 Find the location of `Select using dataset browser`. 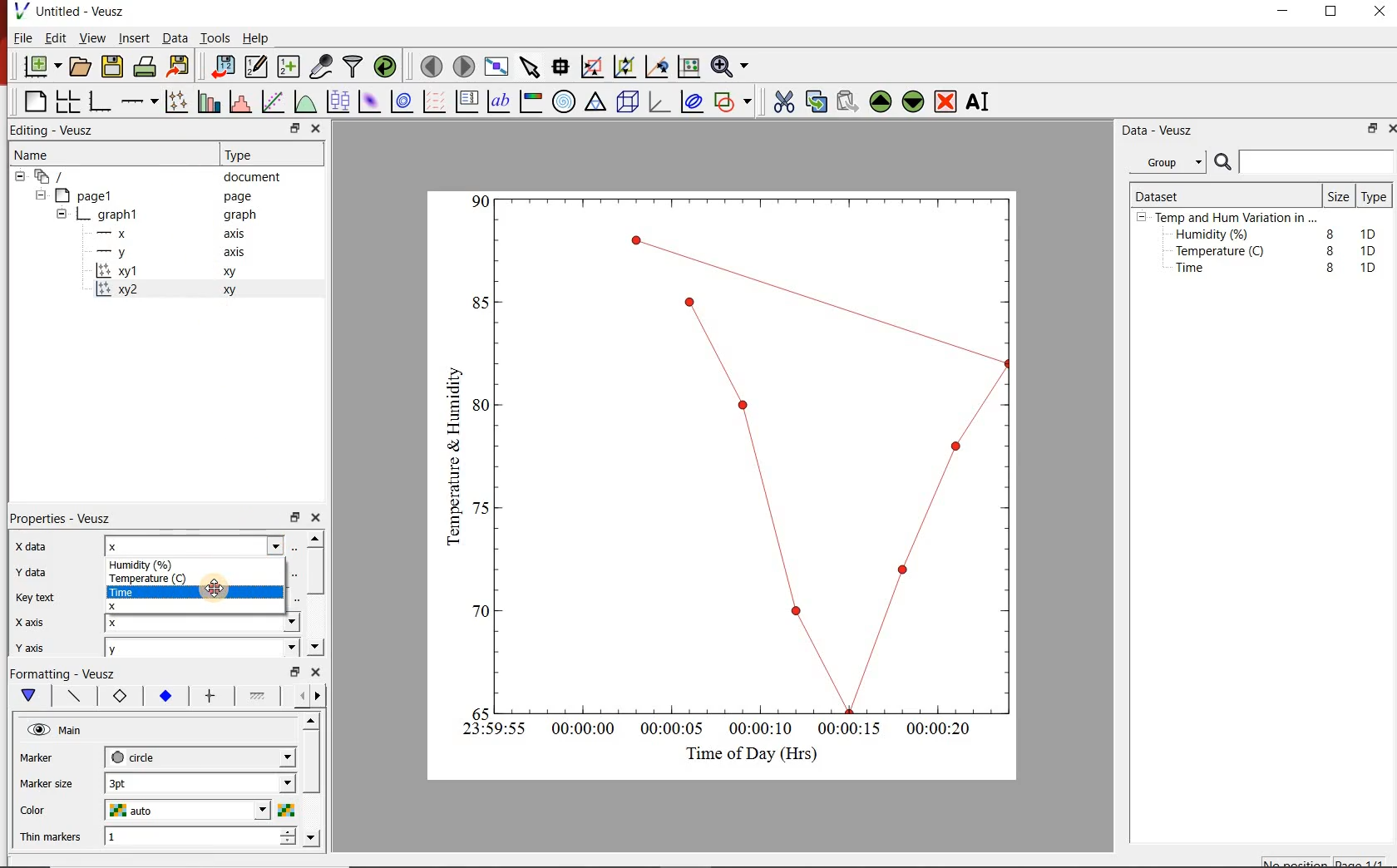

Select using dataset browser is located at coordinates (300, 547).